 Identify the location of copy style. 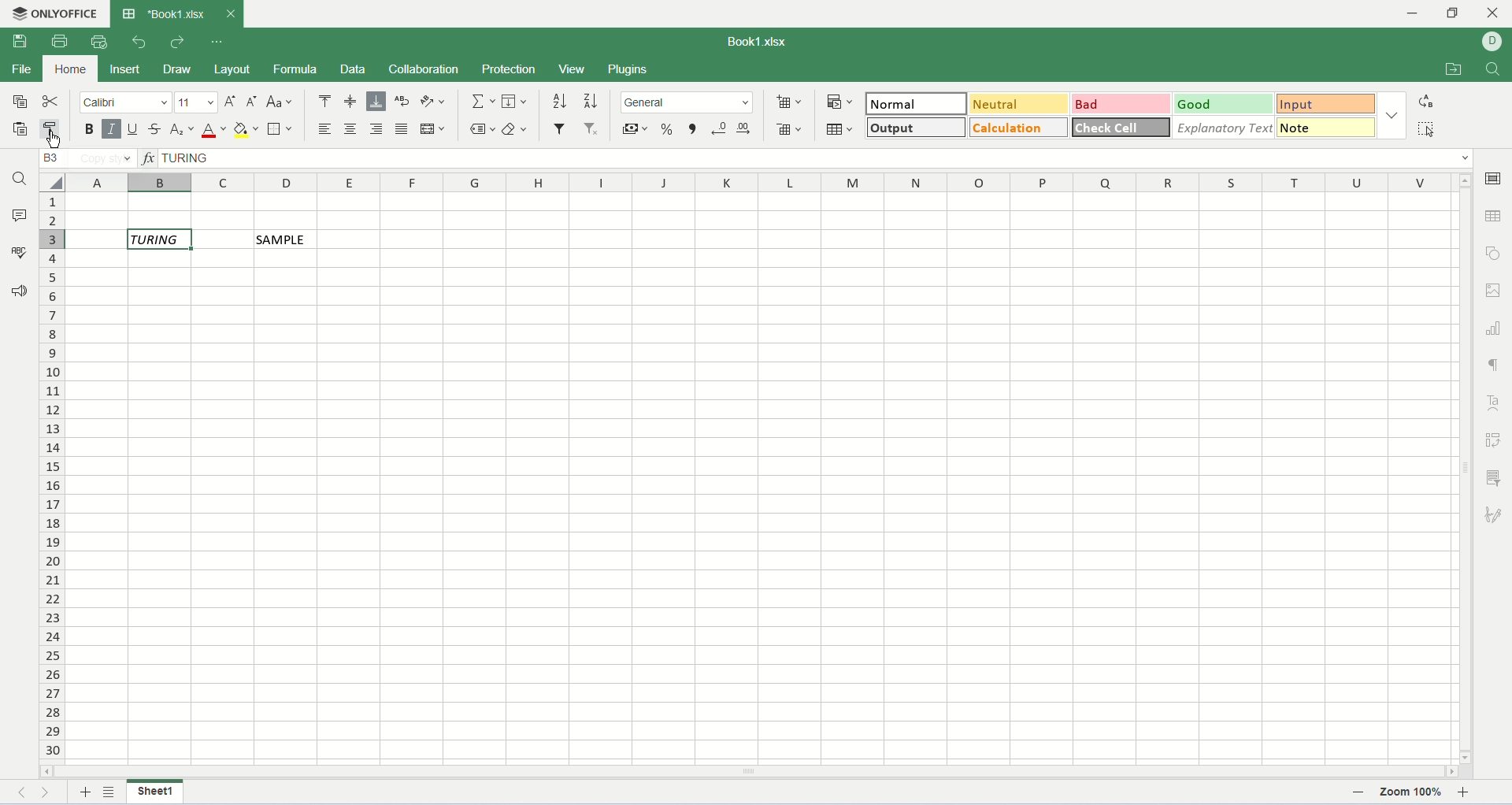
(54, 130).